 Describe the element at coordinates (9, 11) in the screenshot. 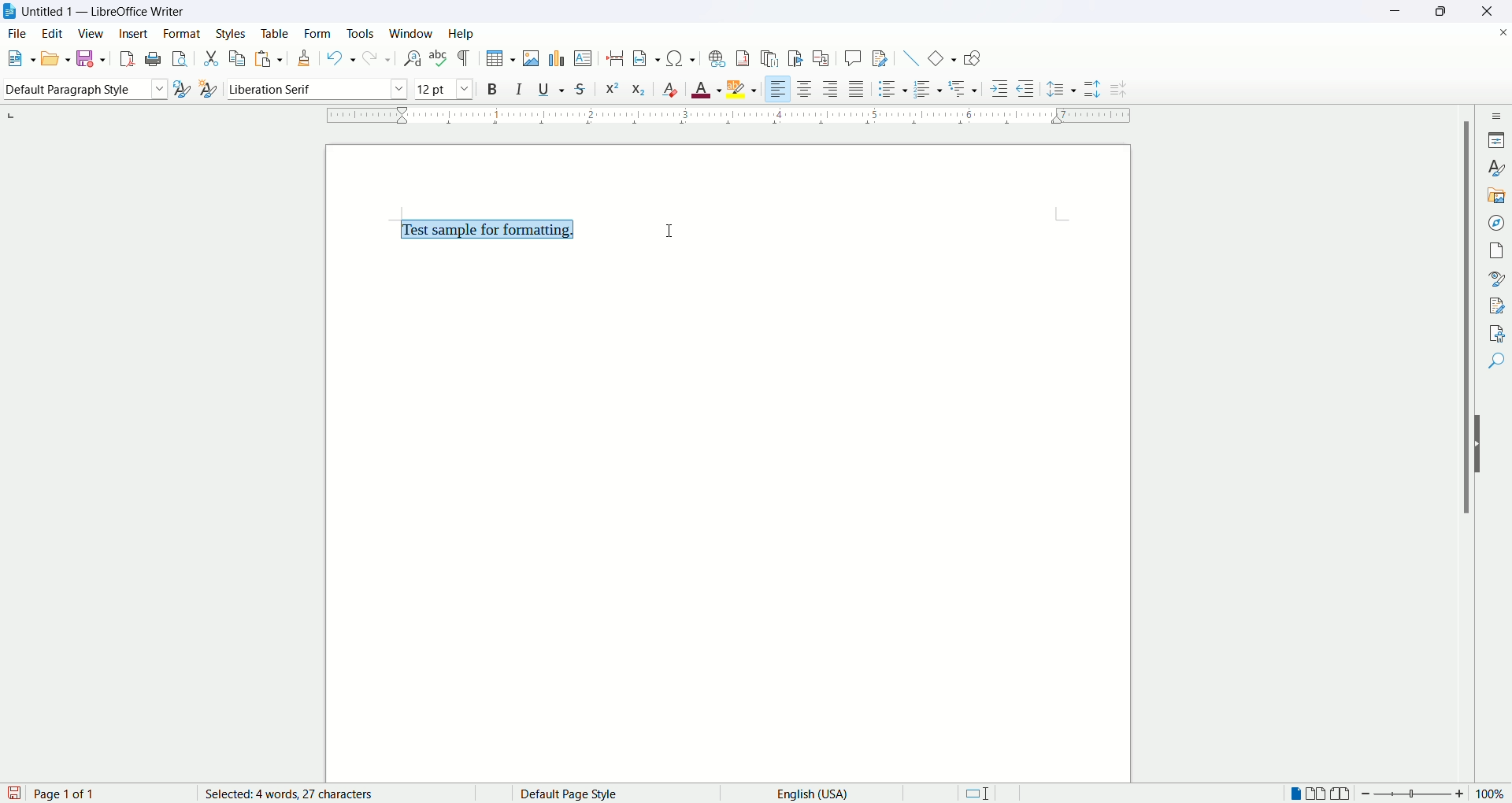

I see `logo` at that location.